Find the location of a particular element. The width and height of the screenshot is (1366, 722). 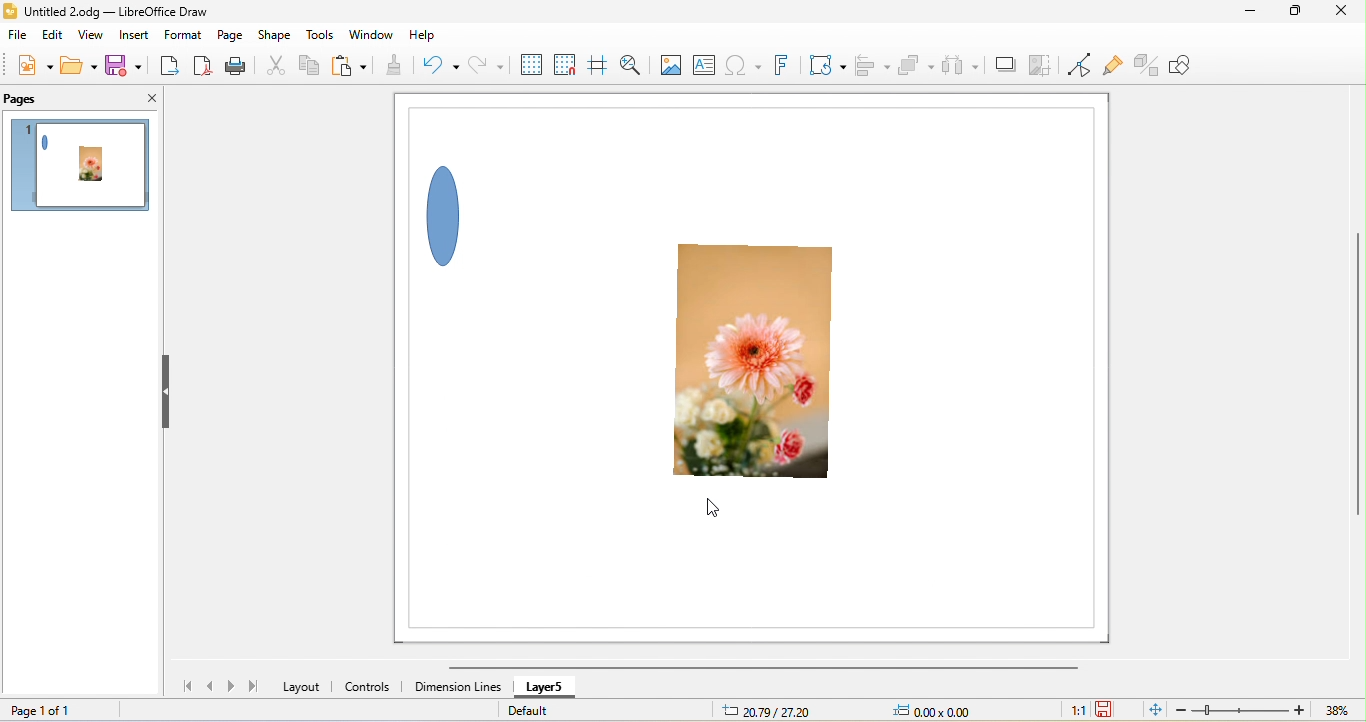

shape  is located at coordinates (277, 35).